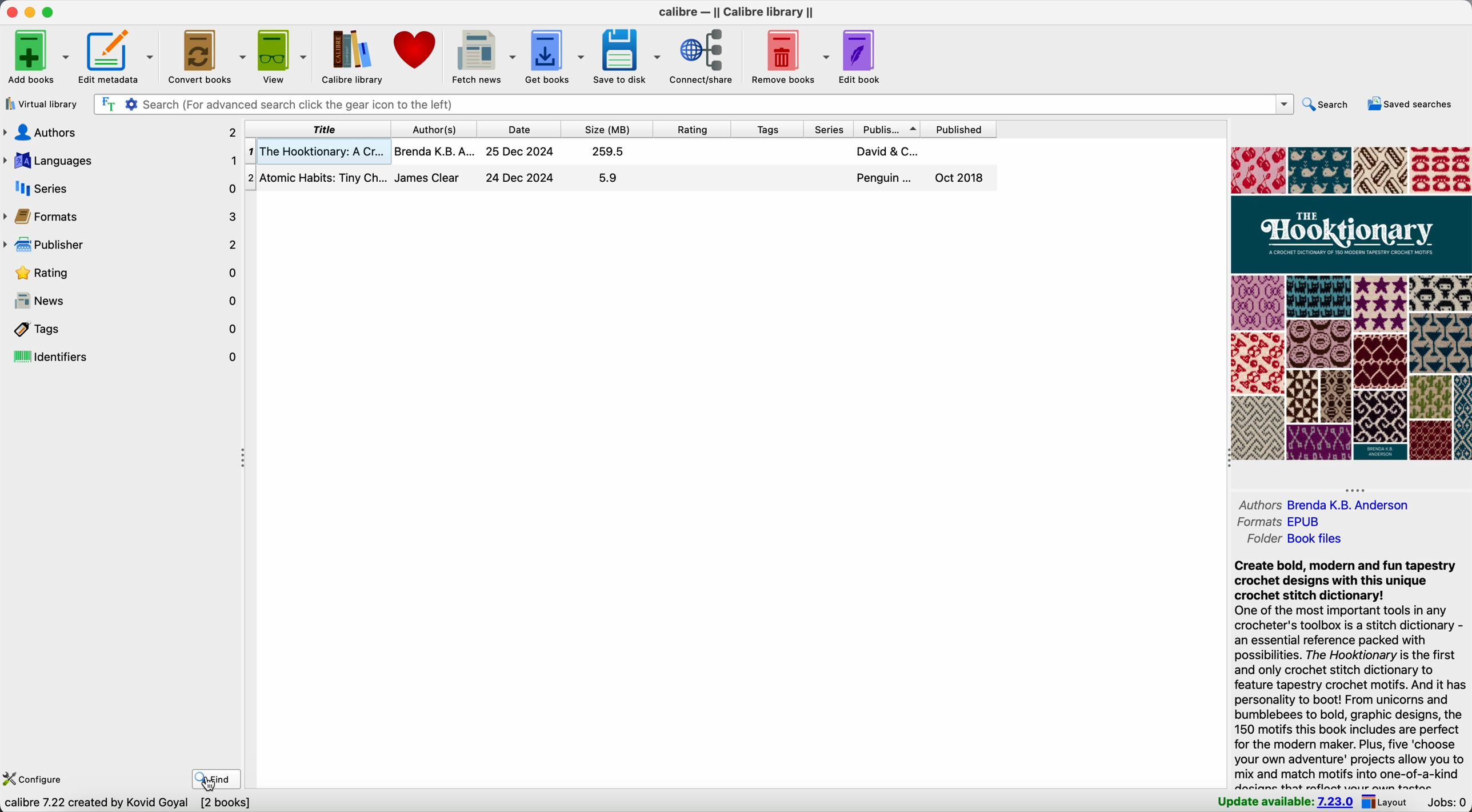 The height and width of the screenshot is (812, 1472). I want to click on update available, so click(1282, 801).